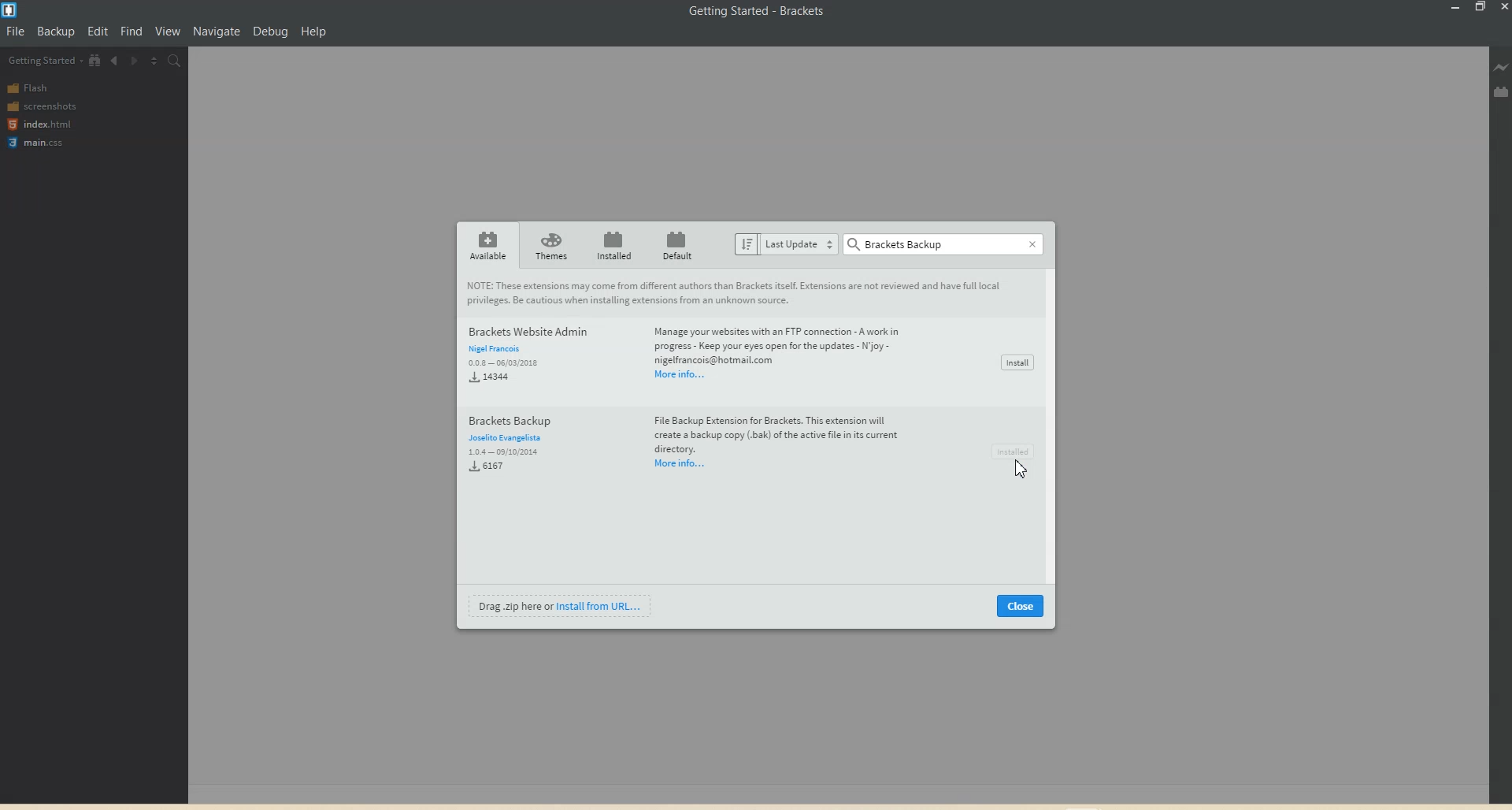 This screenshot has width=1512, height=810. I want to click on Edit, so click(102, 28).